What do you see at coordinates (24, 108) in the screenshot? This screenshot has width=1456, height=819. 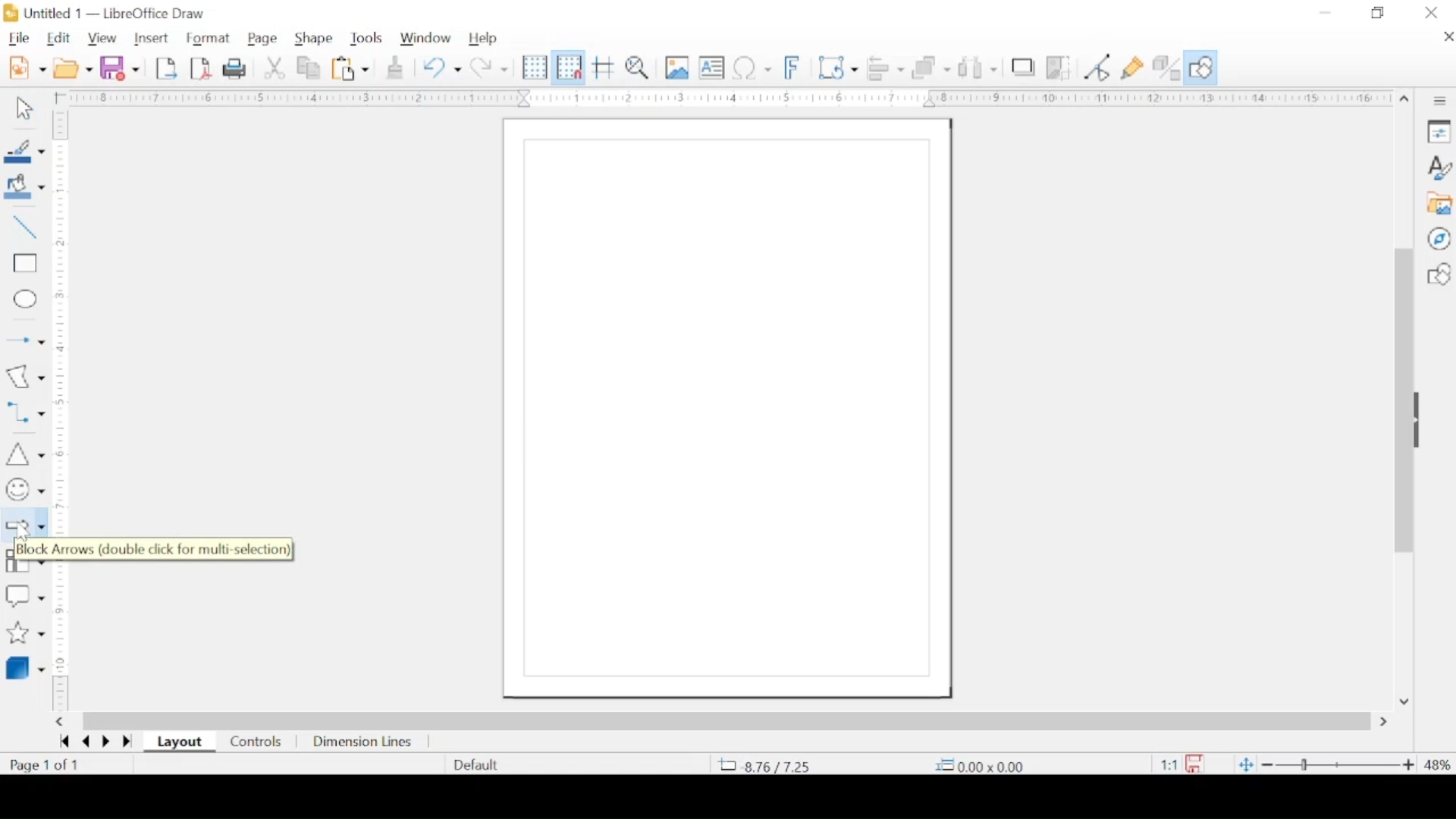 I see `select` at bounding box center [24, 108].